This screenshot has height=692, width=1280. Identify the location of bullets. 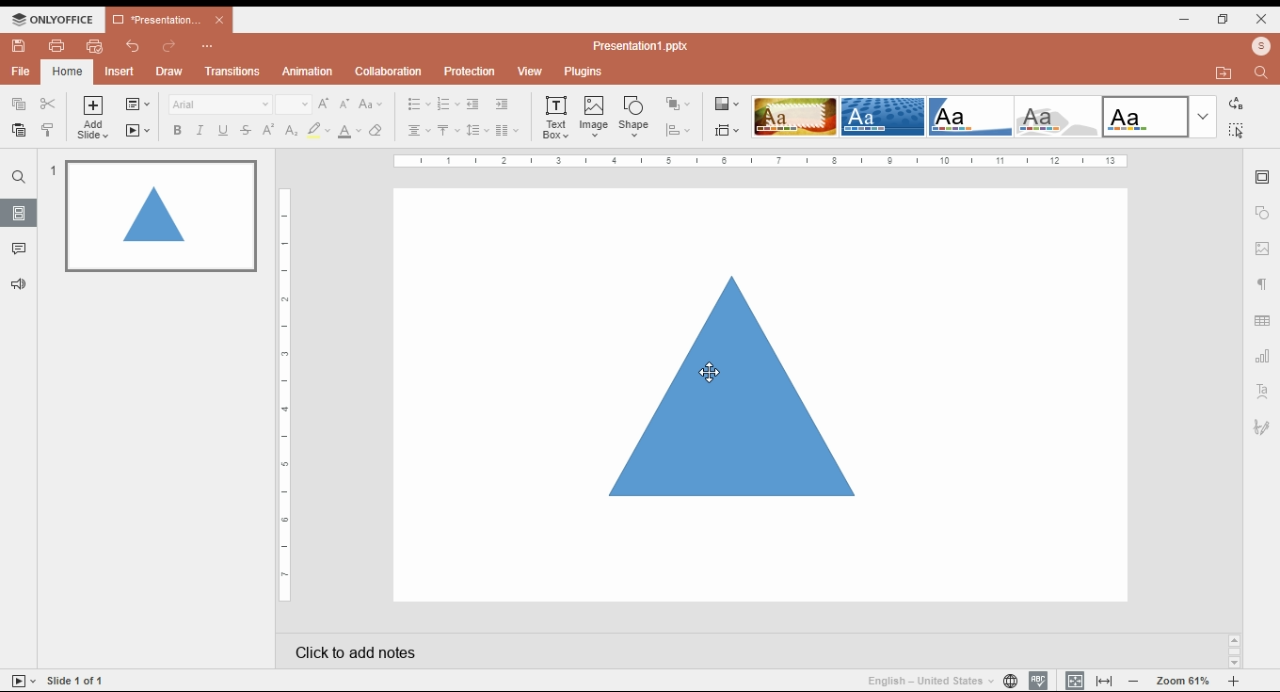
(419, 104).